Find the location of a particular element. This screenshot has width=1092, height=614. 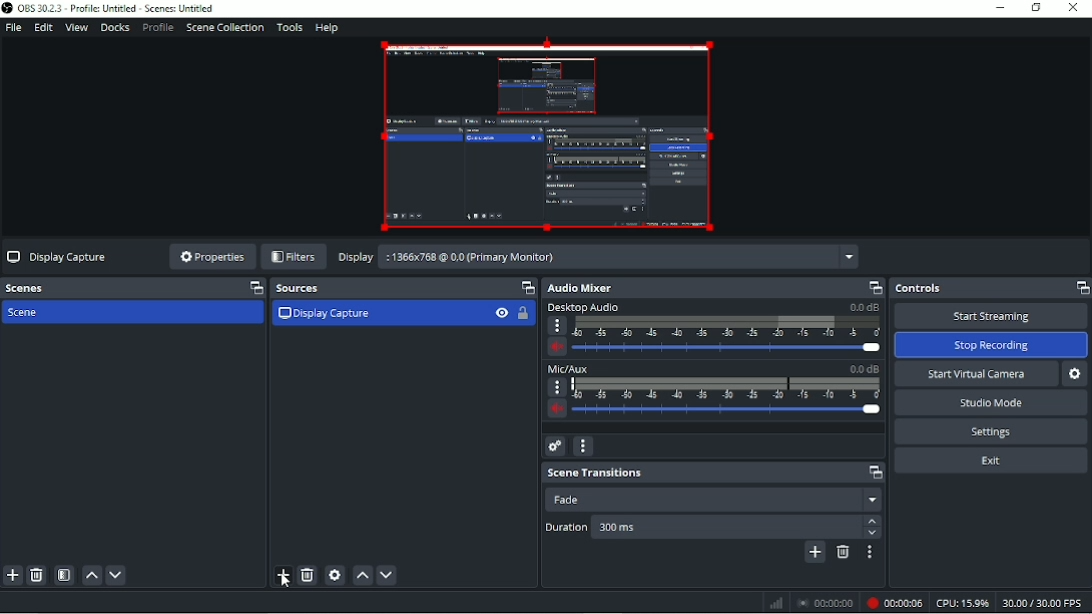

Advanced audio properties is located at coordinates (555, 447).